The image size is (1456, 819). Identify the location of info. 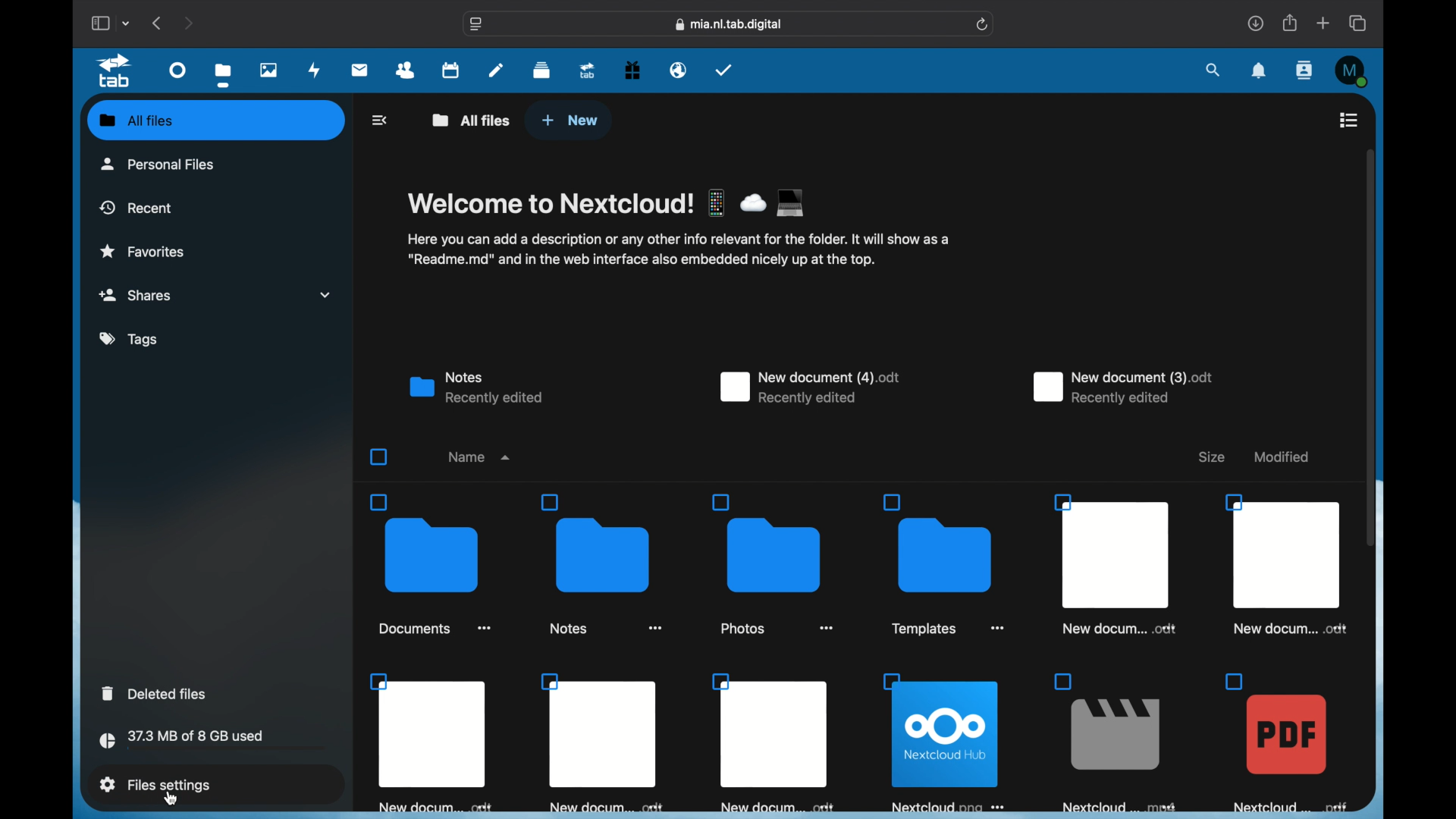
(677, 249).